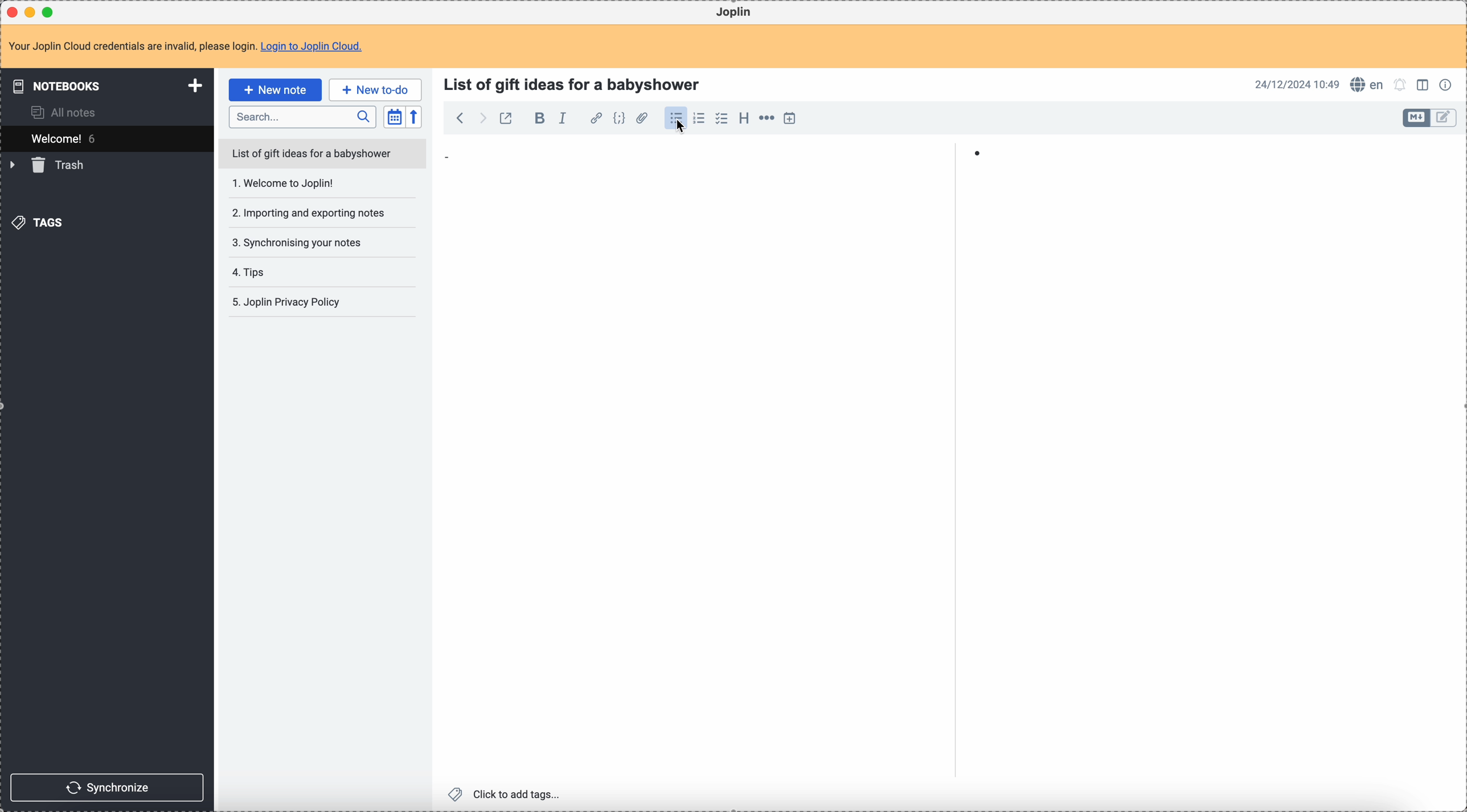 The width and height of the screenshot is (1467, 812). What do you see at coordinates (596, 119) in the screenshot?
I see `hyperlink` at bounding box center [596, 119].